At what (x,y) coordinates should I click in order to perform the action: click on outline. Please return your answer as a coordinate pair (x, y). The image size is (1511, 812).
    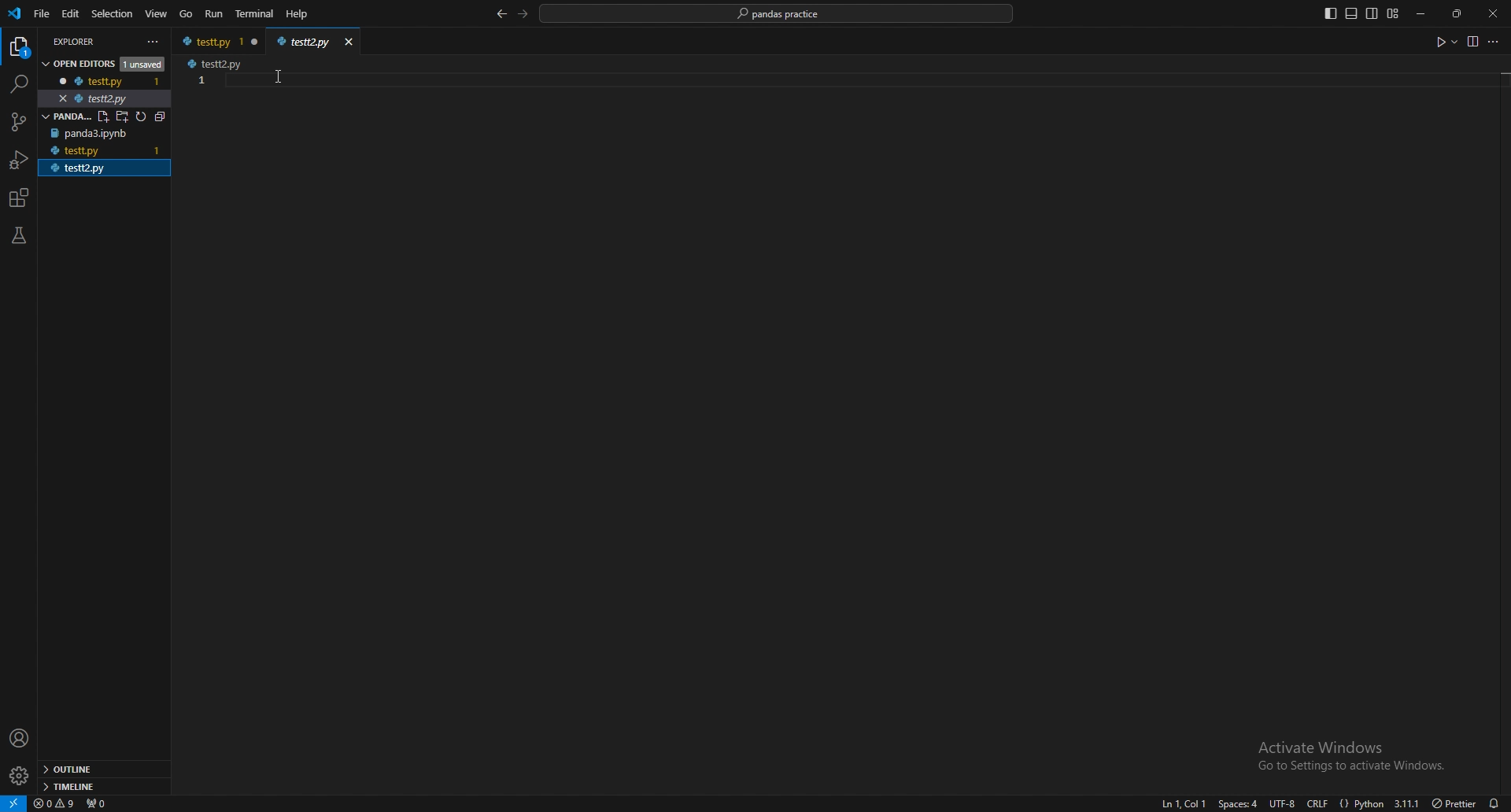
    Looking at the image, I should click on (101, 770).